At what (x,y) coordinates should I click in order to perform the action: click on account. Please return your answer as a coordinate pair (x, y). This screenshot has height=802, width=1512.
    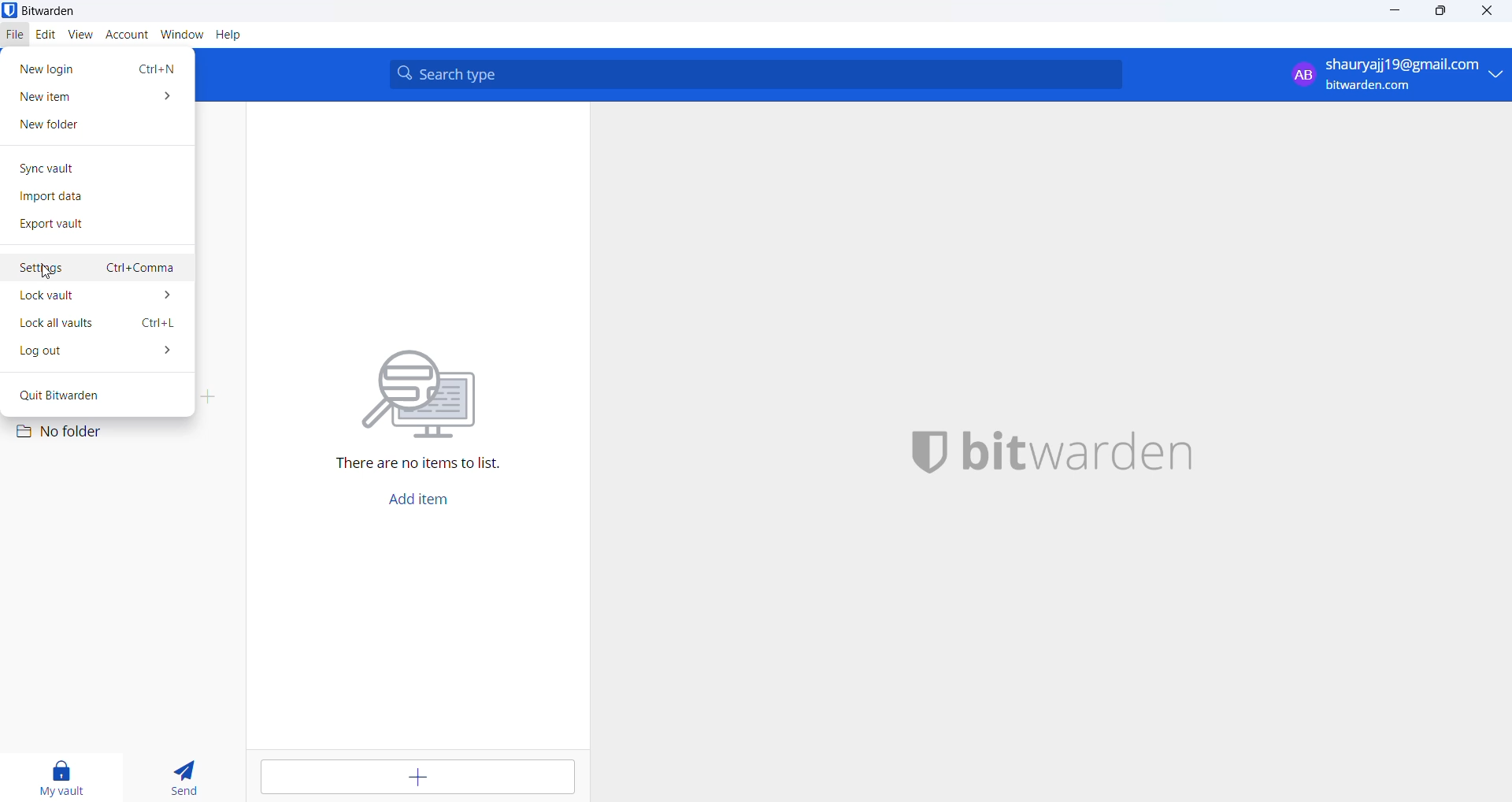
    Looking at the image, I should click on (126, 35).